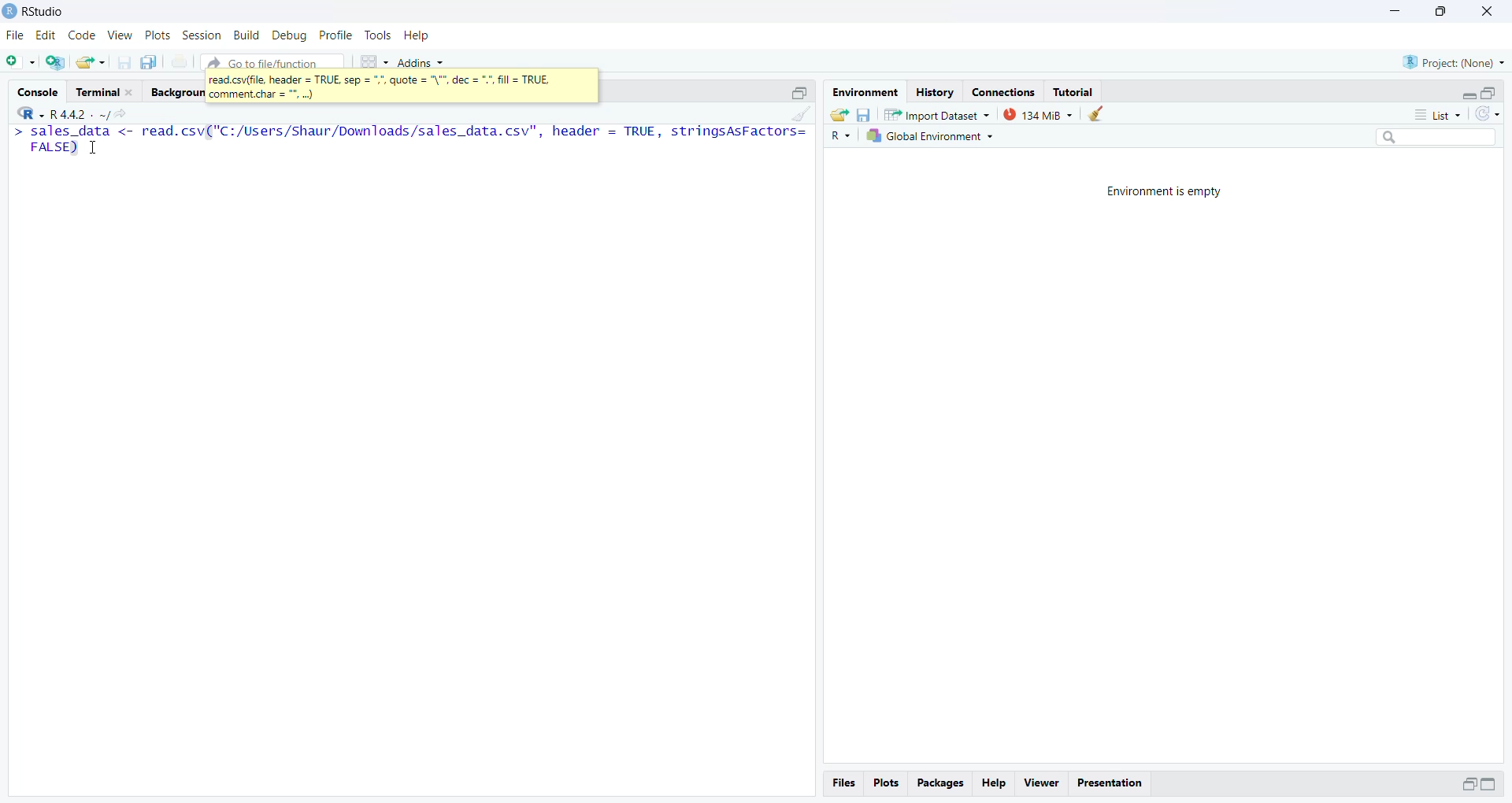 The image size is (1512, 803). Describe the element at coordinates (932, 139) in the screenshot. I see `Global Environment` at that location.